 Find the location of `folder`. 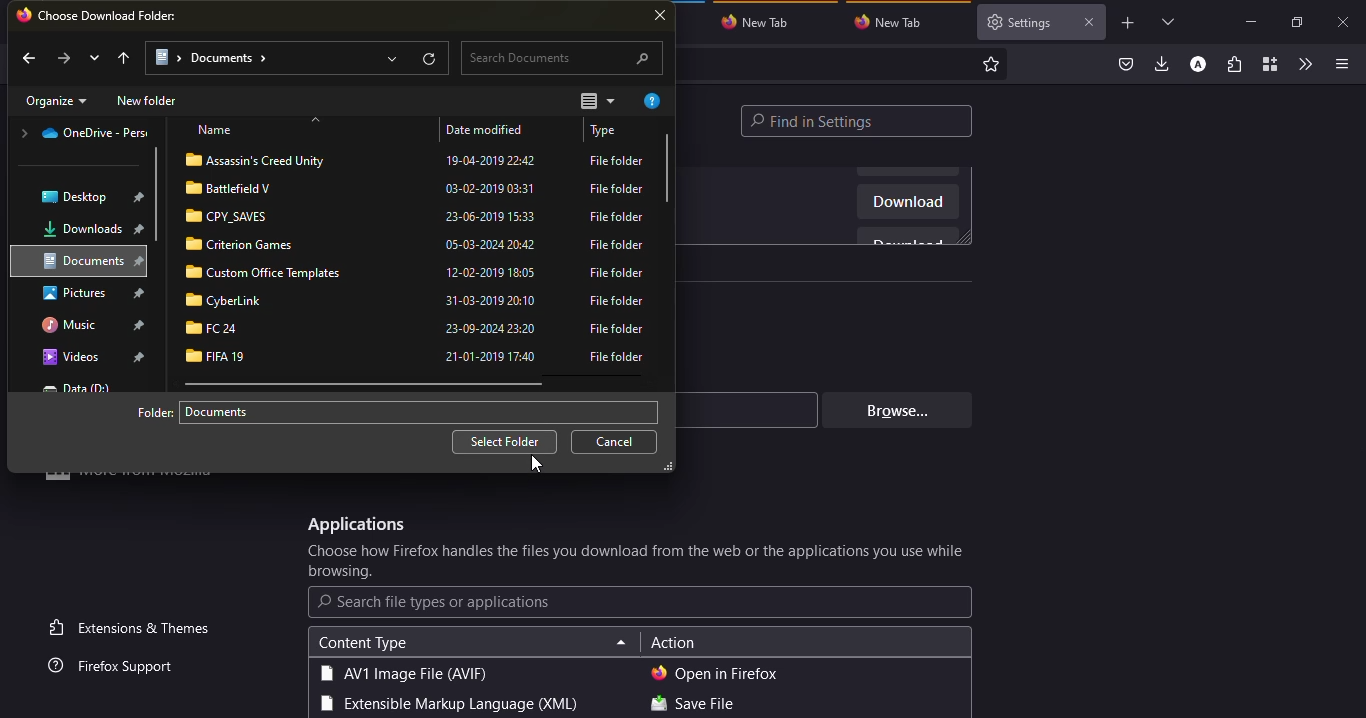

folder is located at coordinates (217, 329).